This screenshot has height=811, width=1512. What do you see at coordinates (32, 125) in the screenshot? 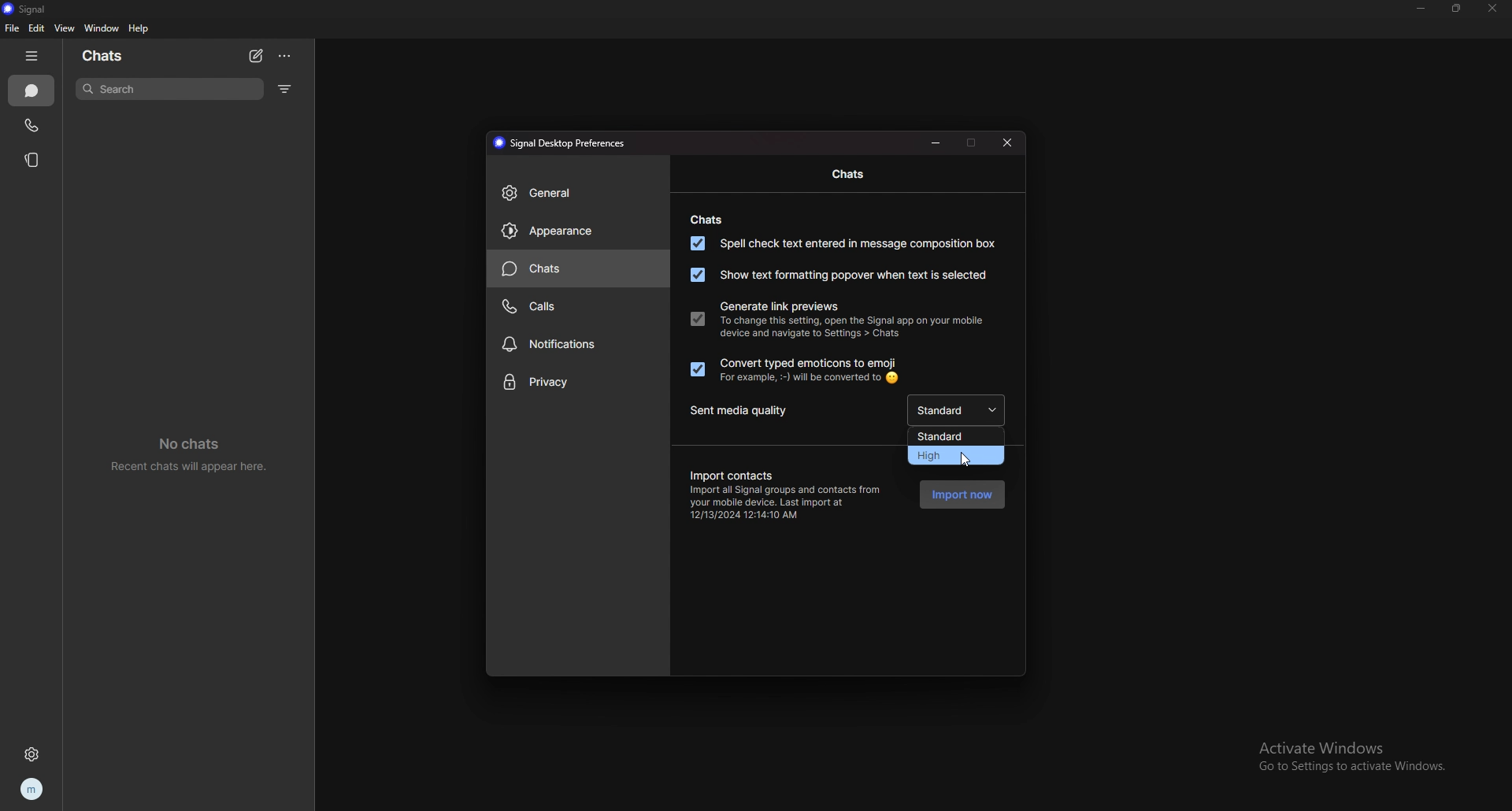
I see `calls` at bounding box center [32, 125].